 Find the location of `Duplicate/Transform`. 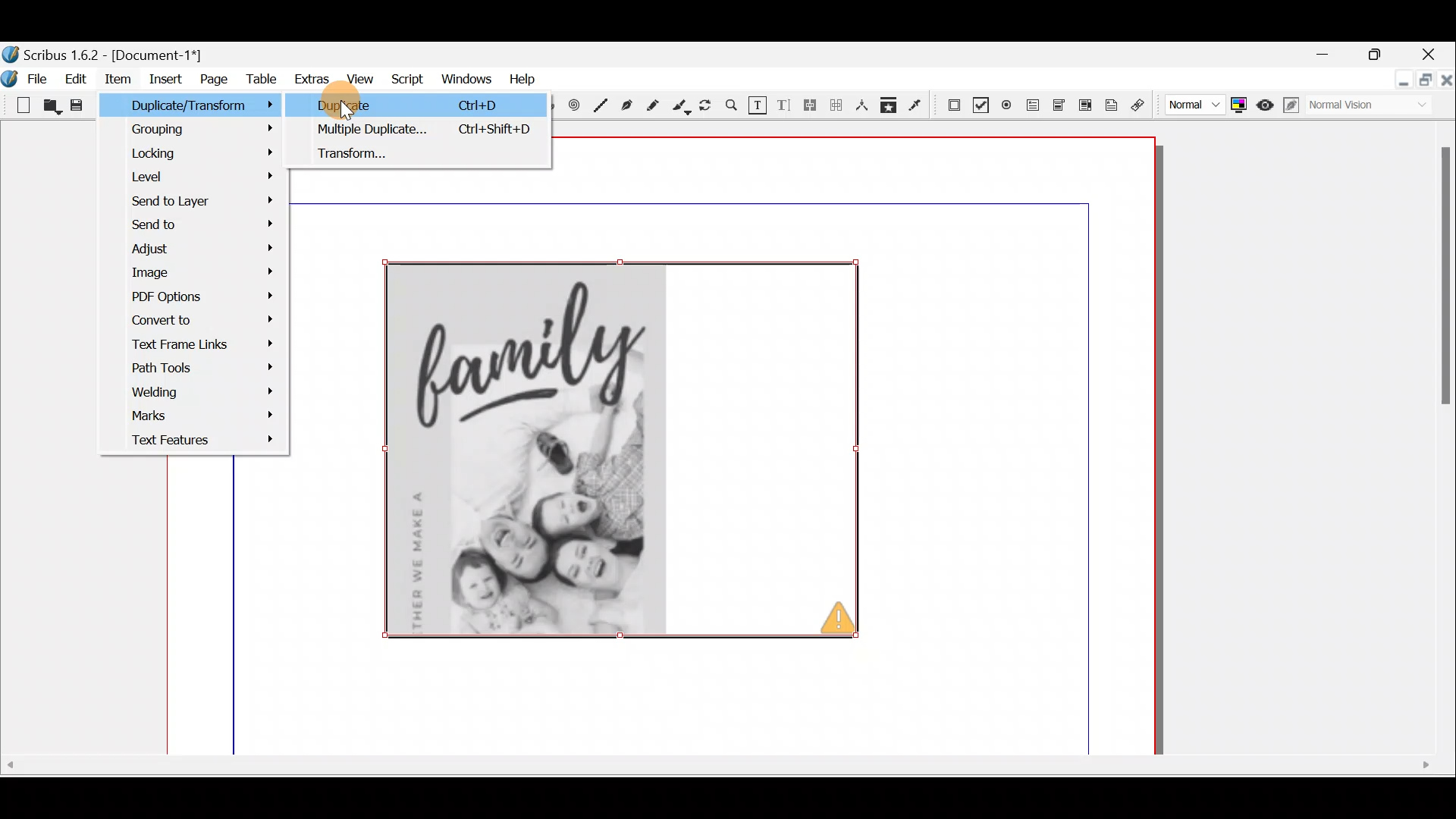

Duplicate/Transform is located at coordinates (206, 109).